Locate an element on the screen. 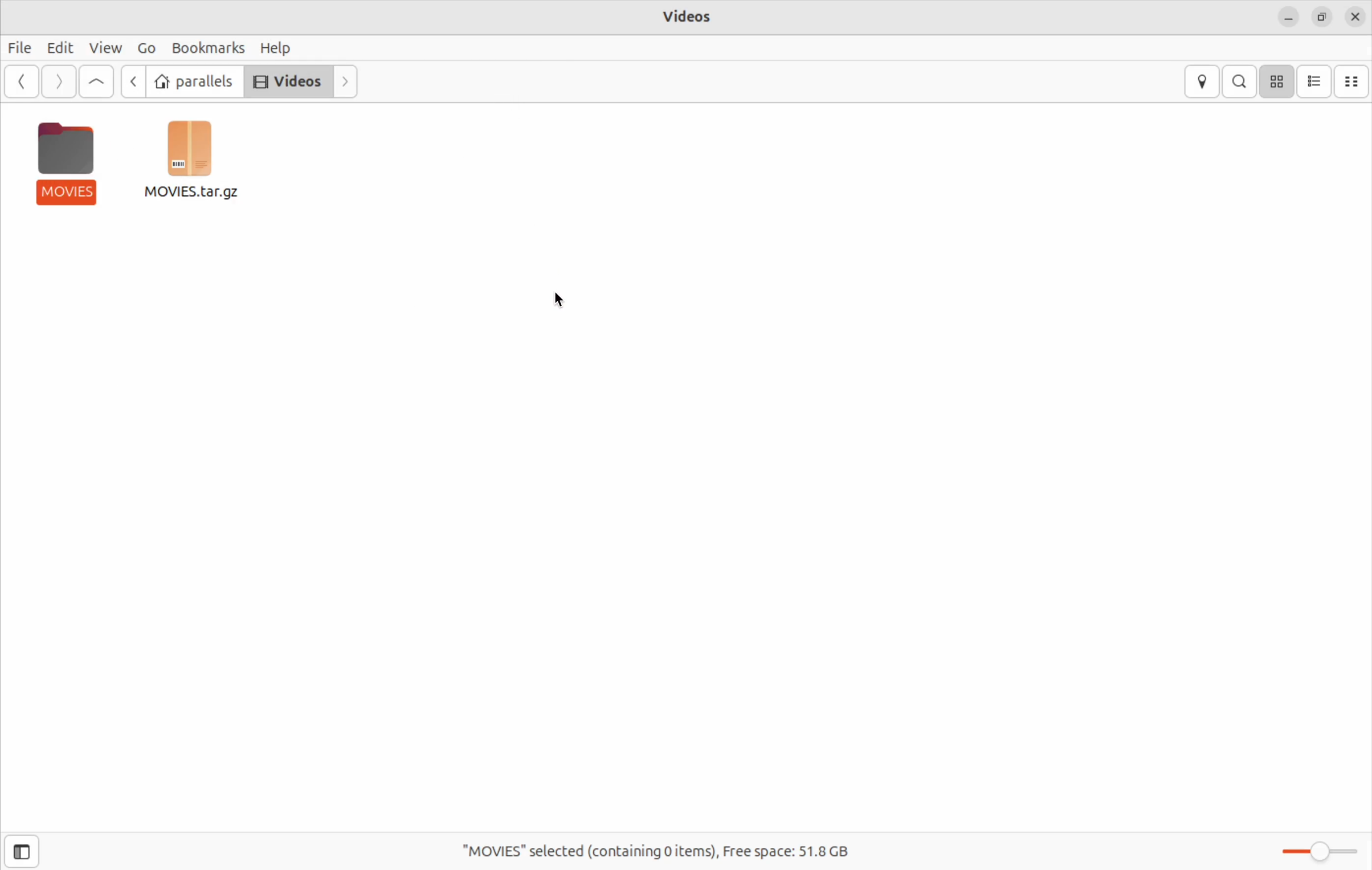  archive file is located at coordinates (195, 162).